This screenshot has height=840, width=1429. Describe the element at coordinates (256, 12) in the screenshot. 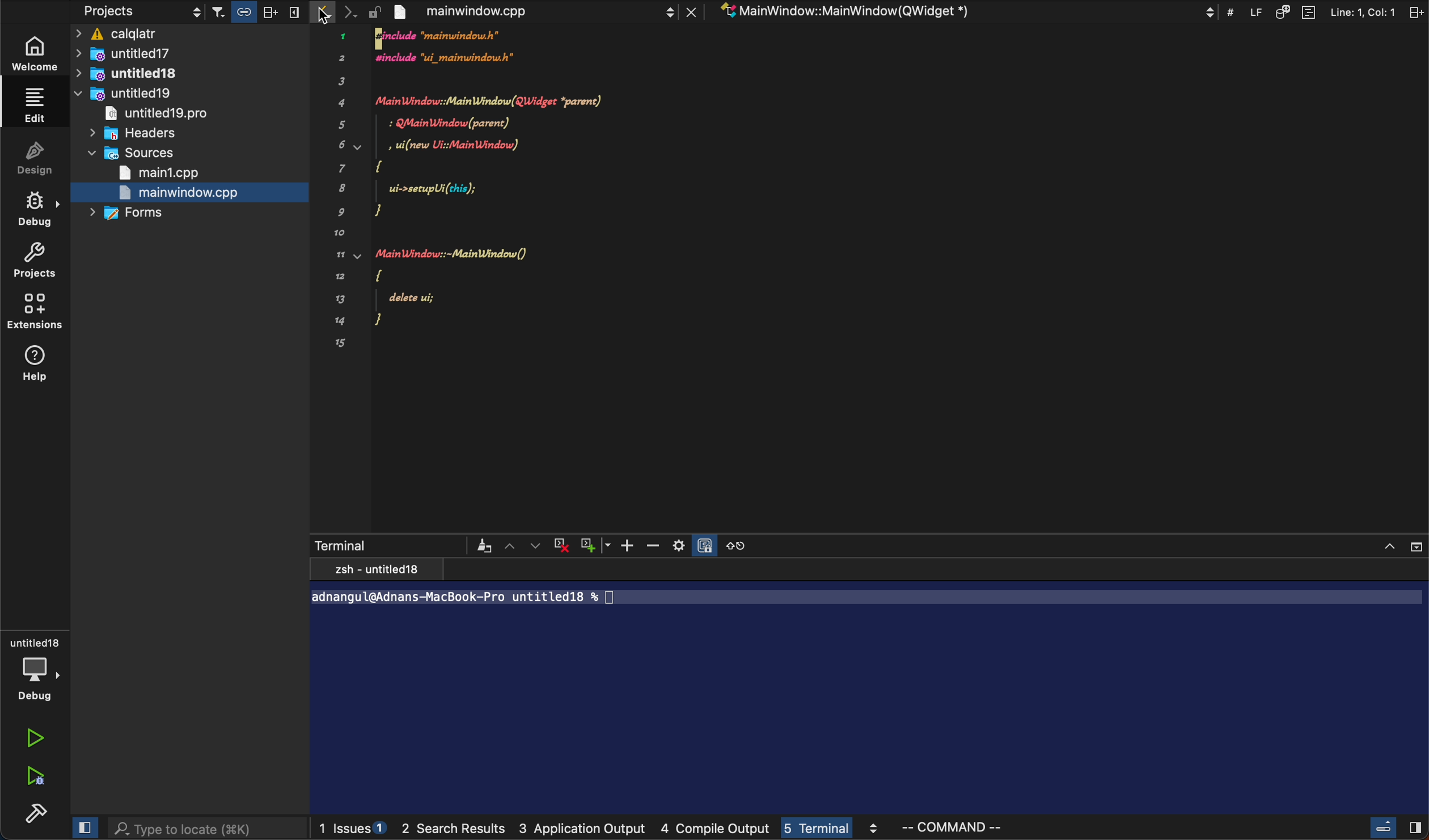

I see `filters` at that location.